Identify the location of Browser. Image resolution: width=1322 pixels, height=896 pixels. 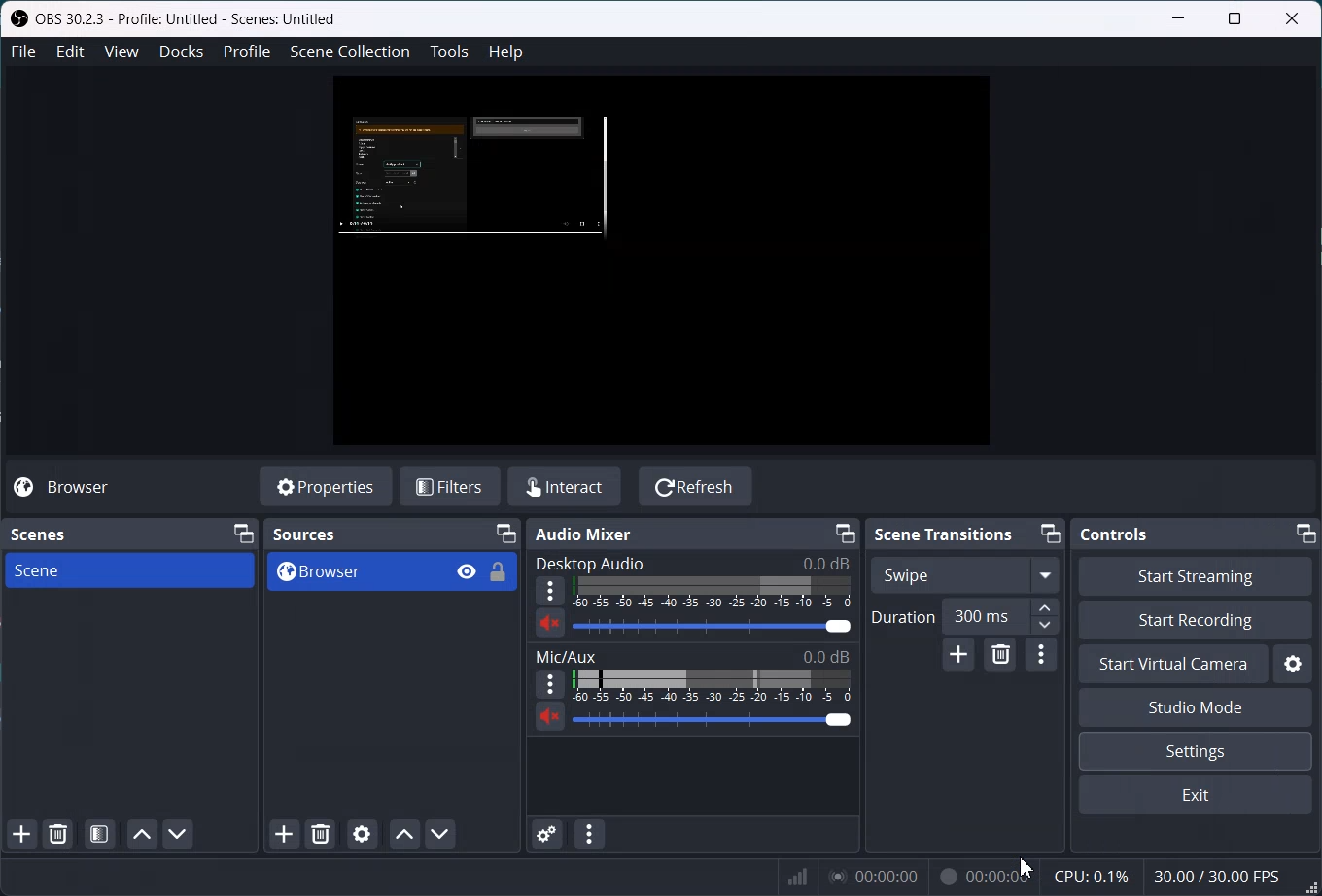
(69, 488).